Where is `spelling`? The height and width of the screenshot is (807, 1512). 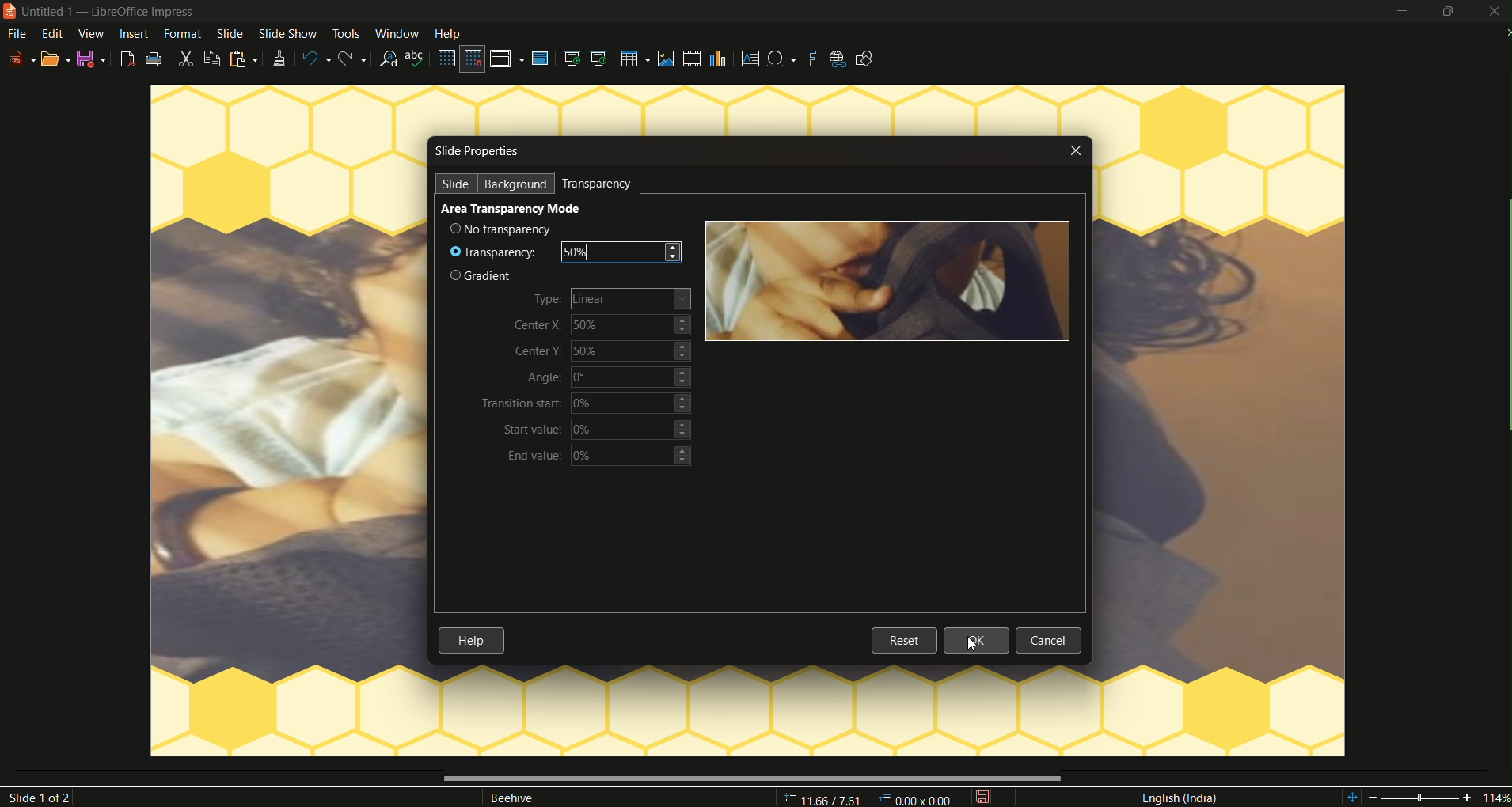
spelling is located at coordinates (417, 59).